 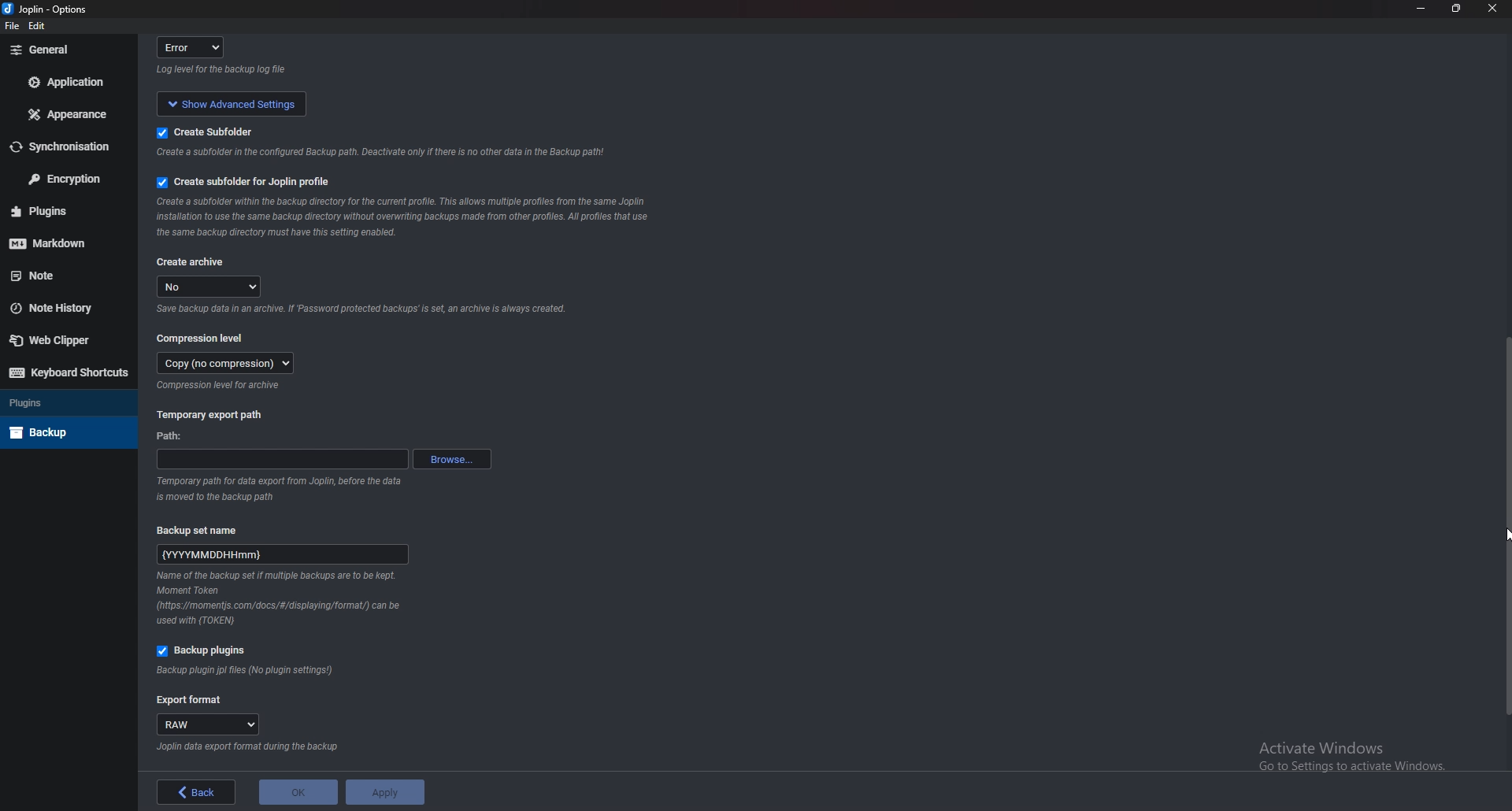 I want to click on Plugins, so click(x=61, y=211).